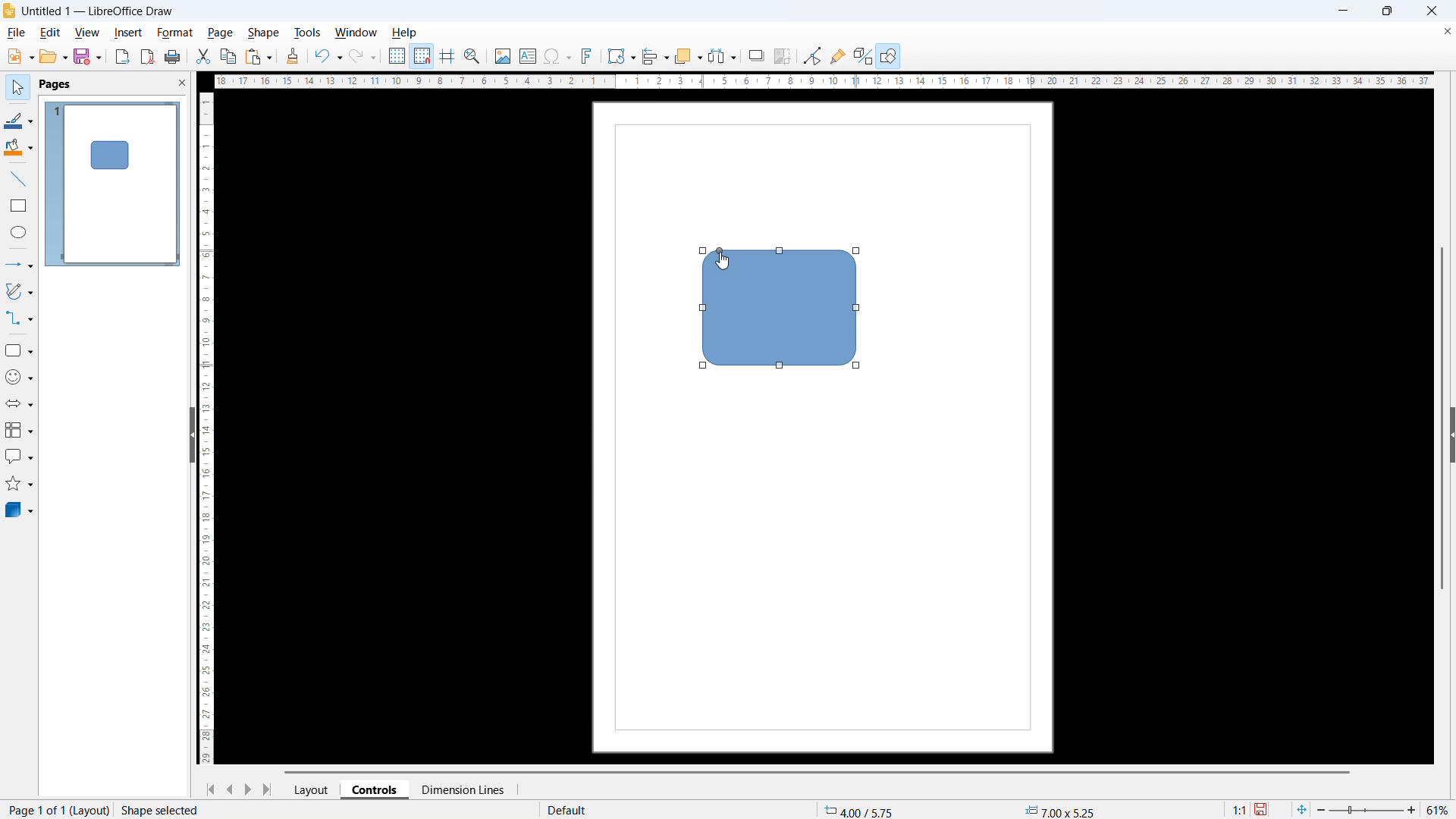  What do you see at coordinates (100, 12) in the screenshot?
I see `Untitled 1 - LibreOffice Draw` at bounding box center [100, 12].